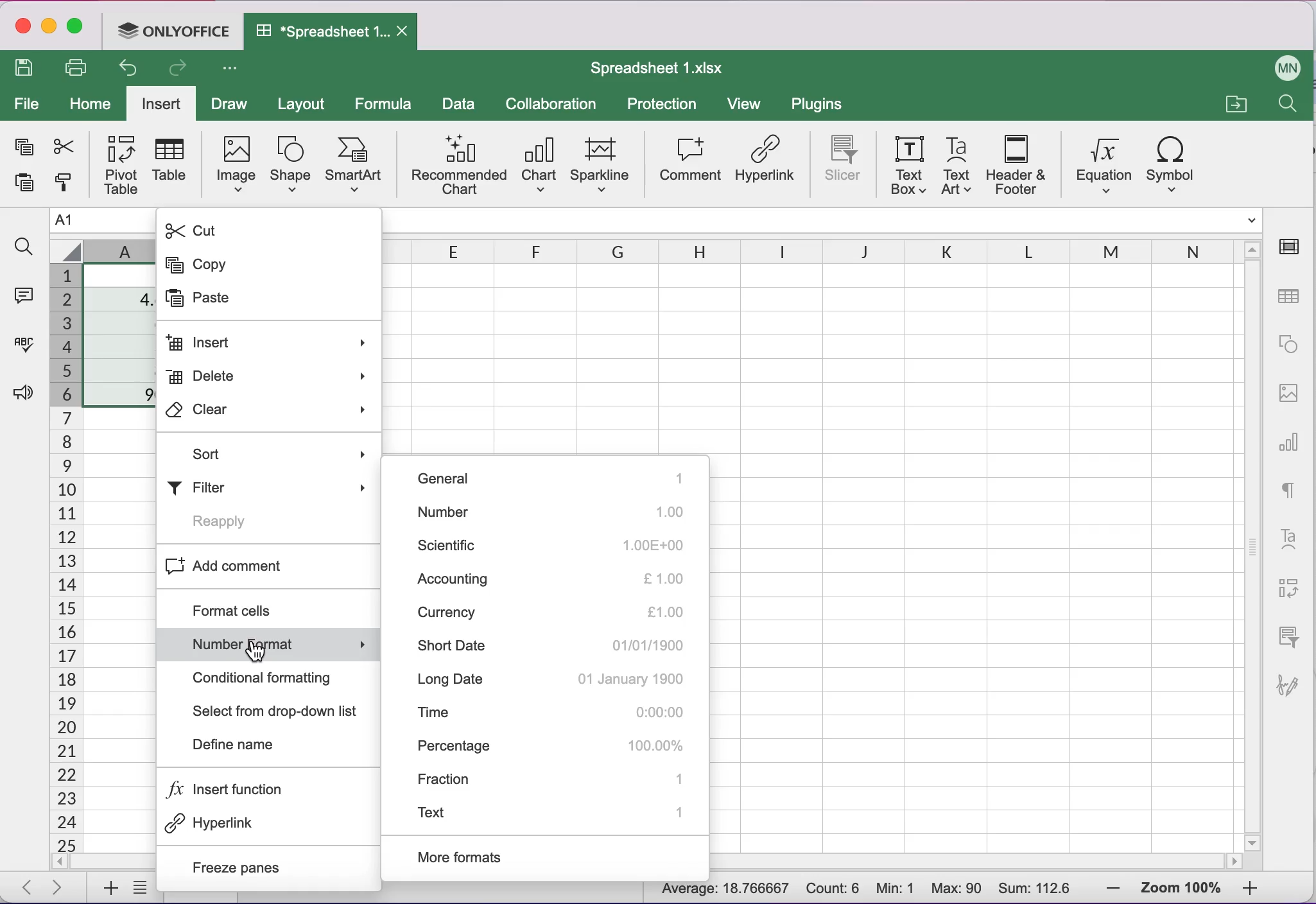  What do you see at coordinates (105, 887) in the screenshot?
I see `add sheets` at bounding box center [105, 887].